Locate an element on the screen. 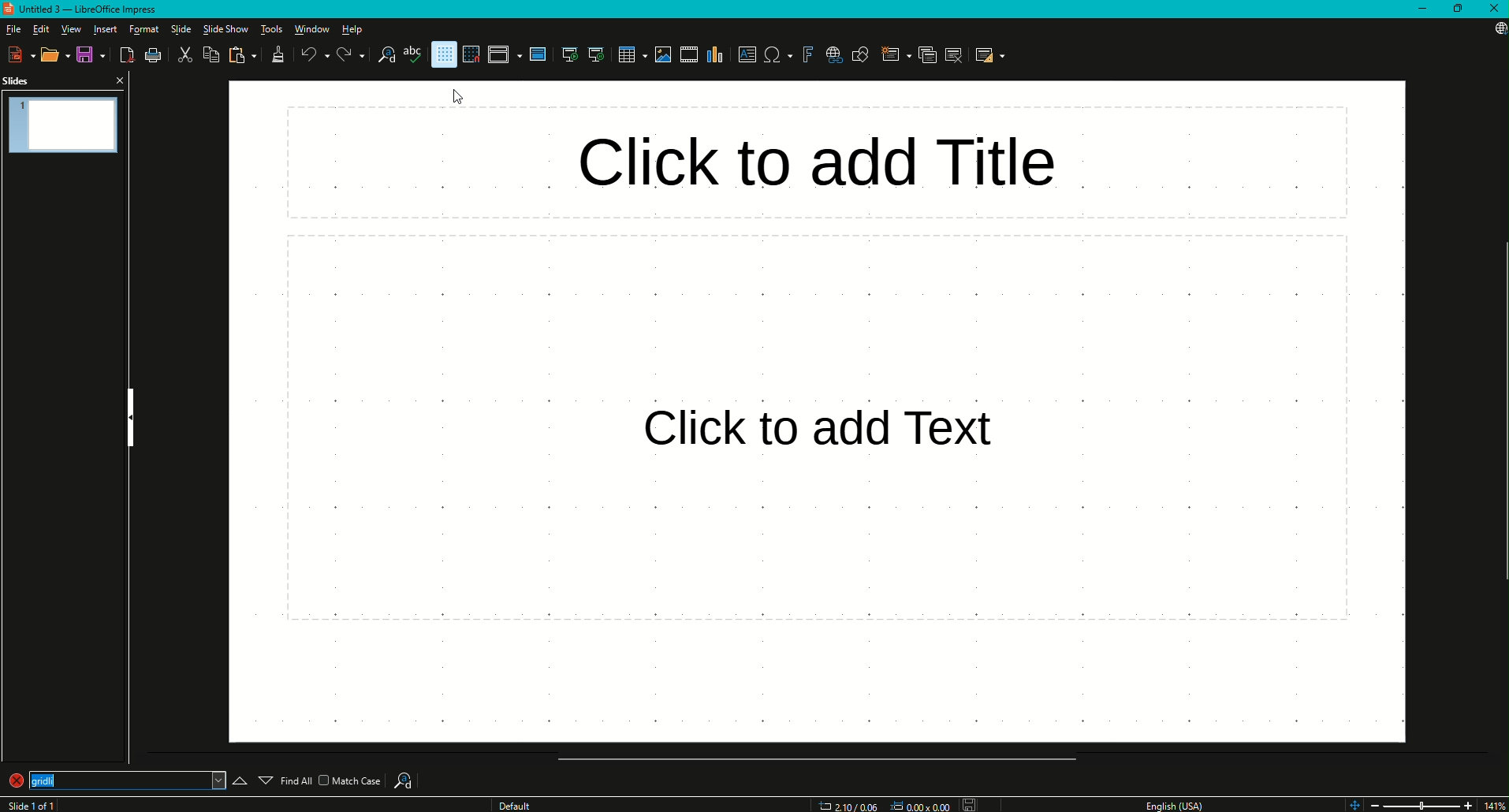  Delete Slide is located at coordinates (956, 57).